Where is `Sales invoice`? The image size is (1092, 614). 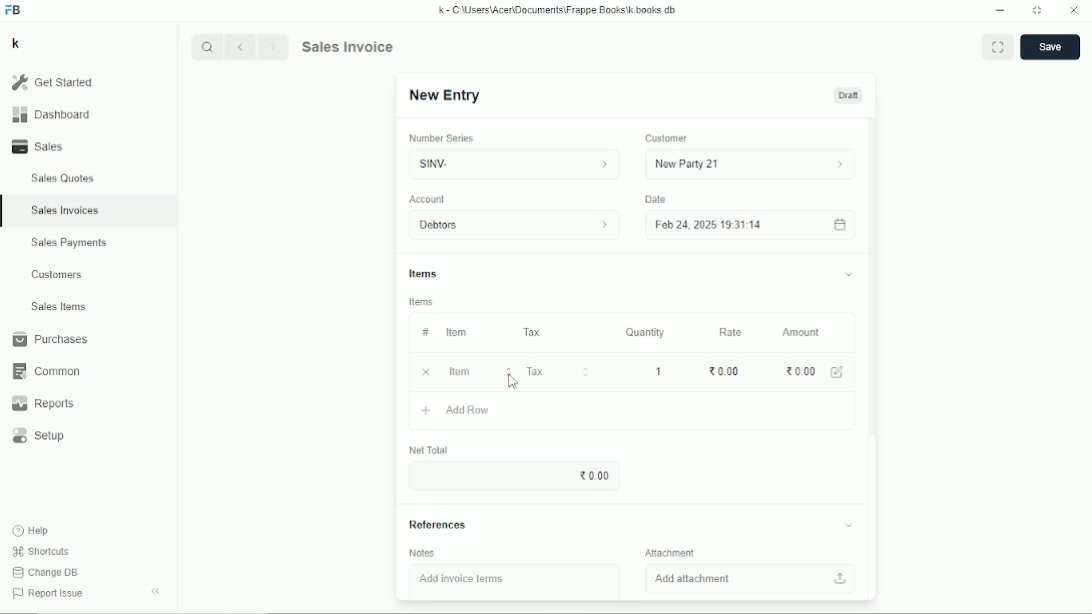
Sales invoice is located at coordinates (347, 46).